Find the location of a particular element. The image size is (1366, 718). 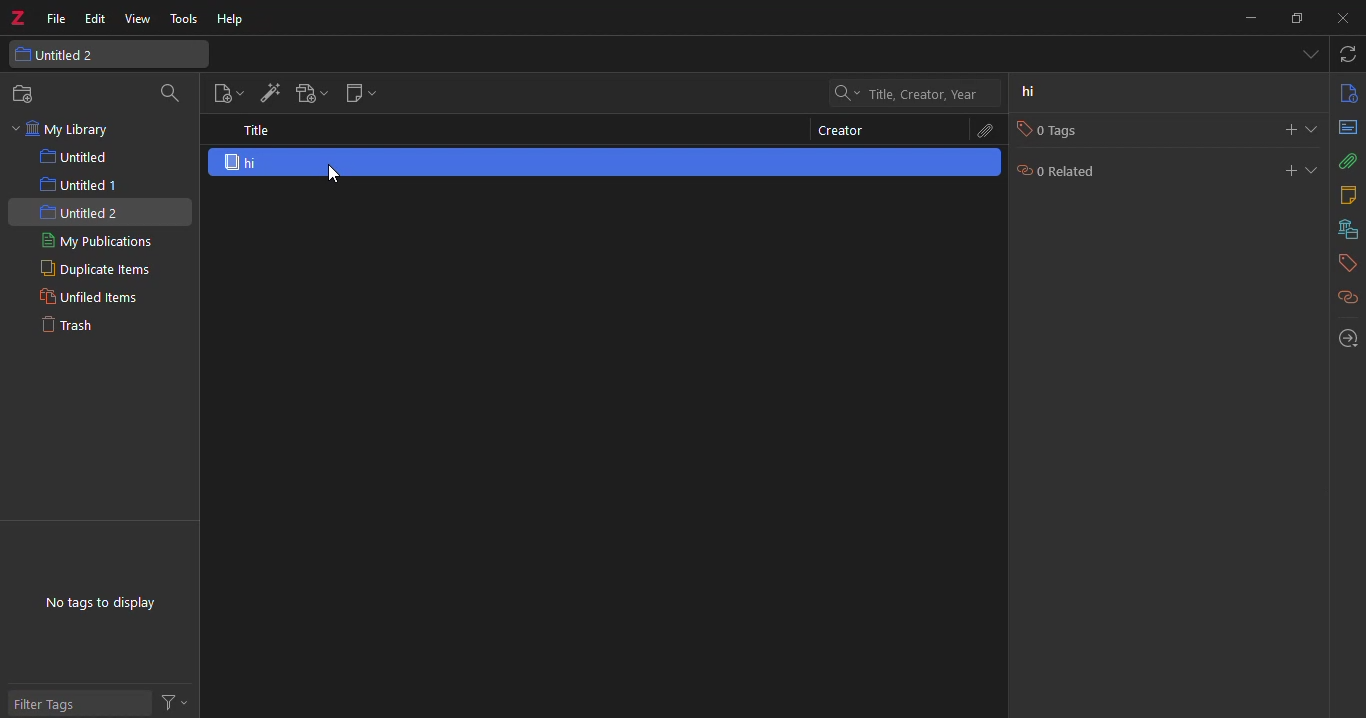

no tags to display is located at coordinates (100, 604).